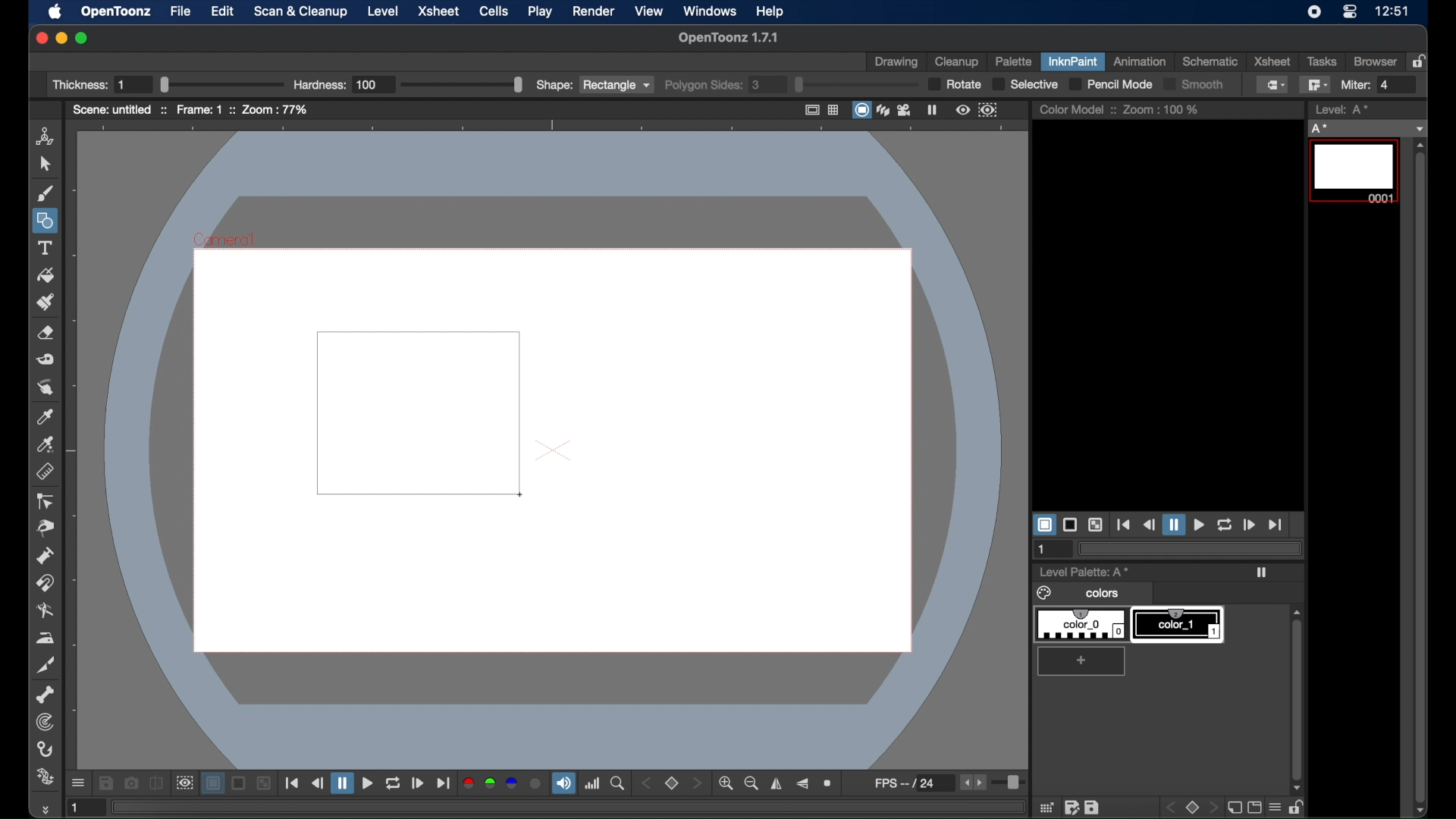 The height and width of the screenshot is (819, 1456). Describe the element at coordinates (913, 783) in the screenshot. I see `fps` at that location.